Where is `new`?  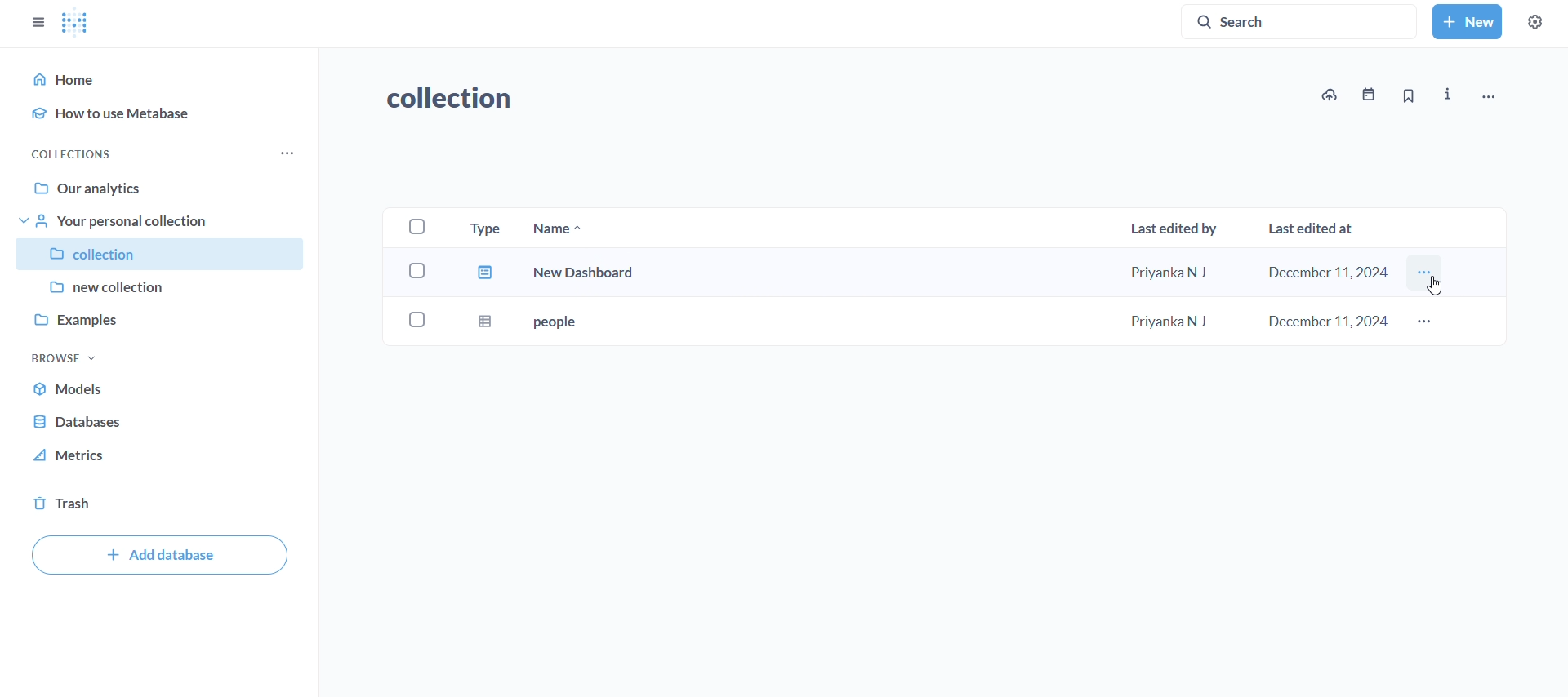 new is located at coordinates (1467, 20).